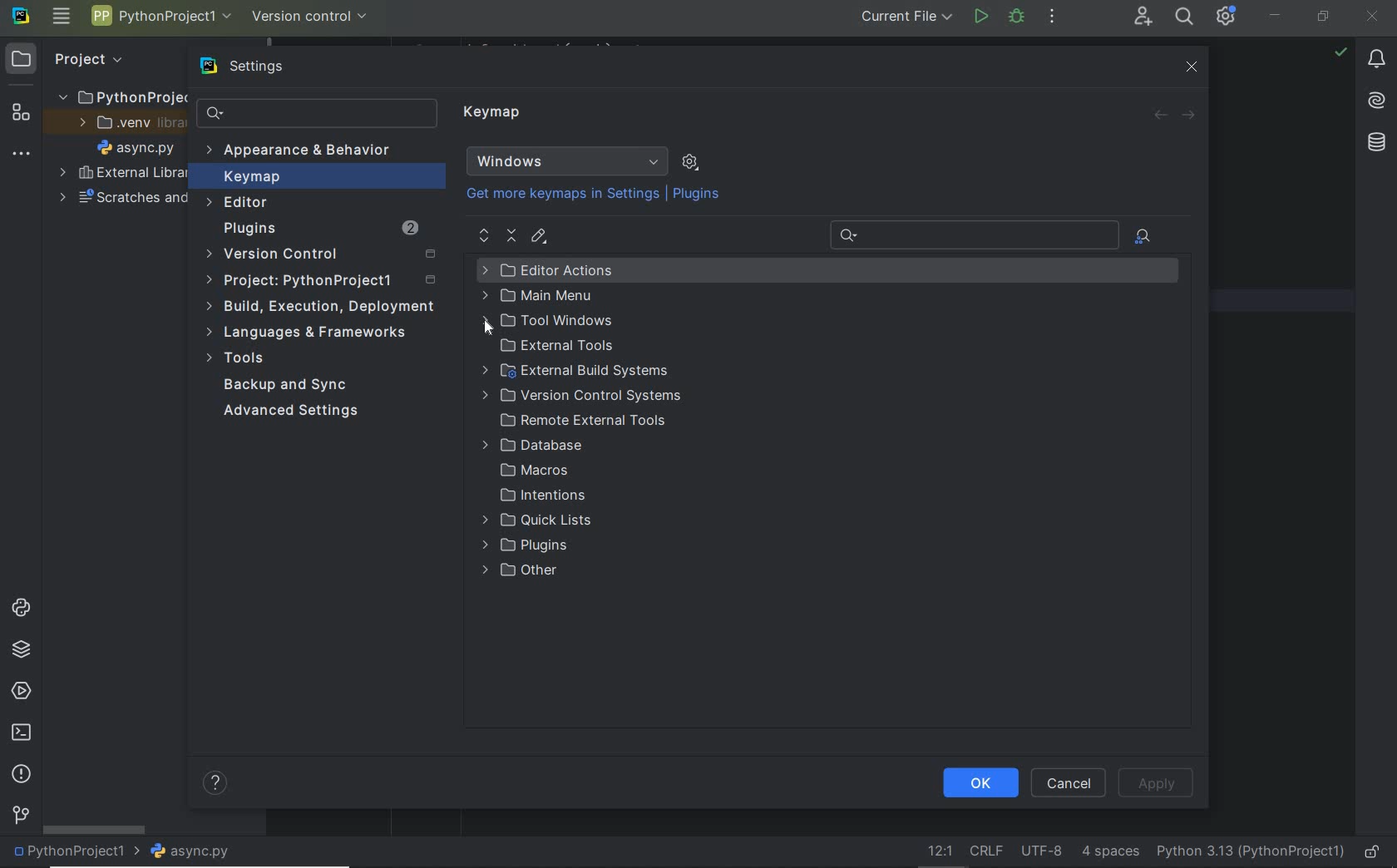 This screenshot has width=1397, height=868. What do you see at coordinates (1071, 782) in the screenshot?
I see `Cancel` at bounding box center [1071, 782].